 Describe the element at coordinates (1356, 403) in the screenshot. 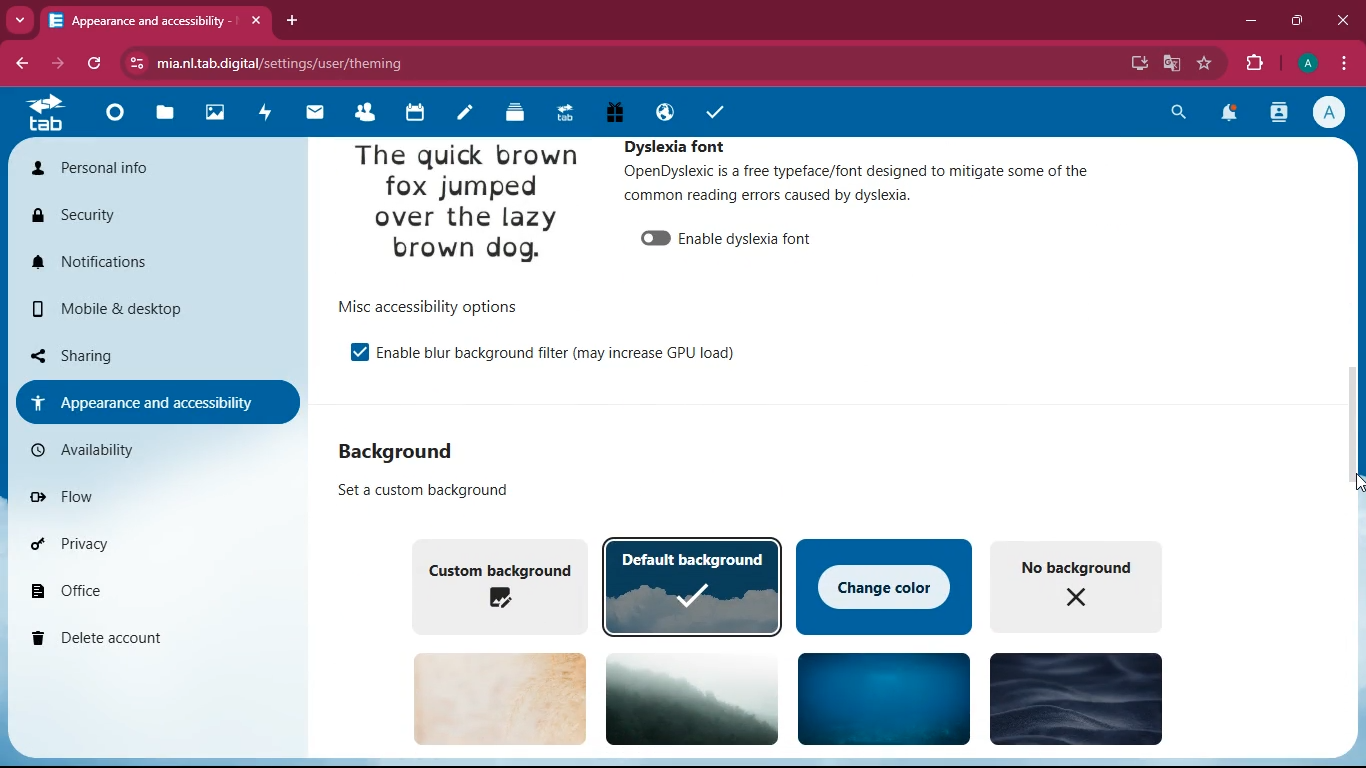

I see `scroll bar` at that location.